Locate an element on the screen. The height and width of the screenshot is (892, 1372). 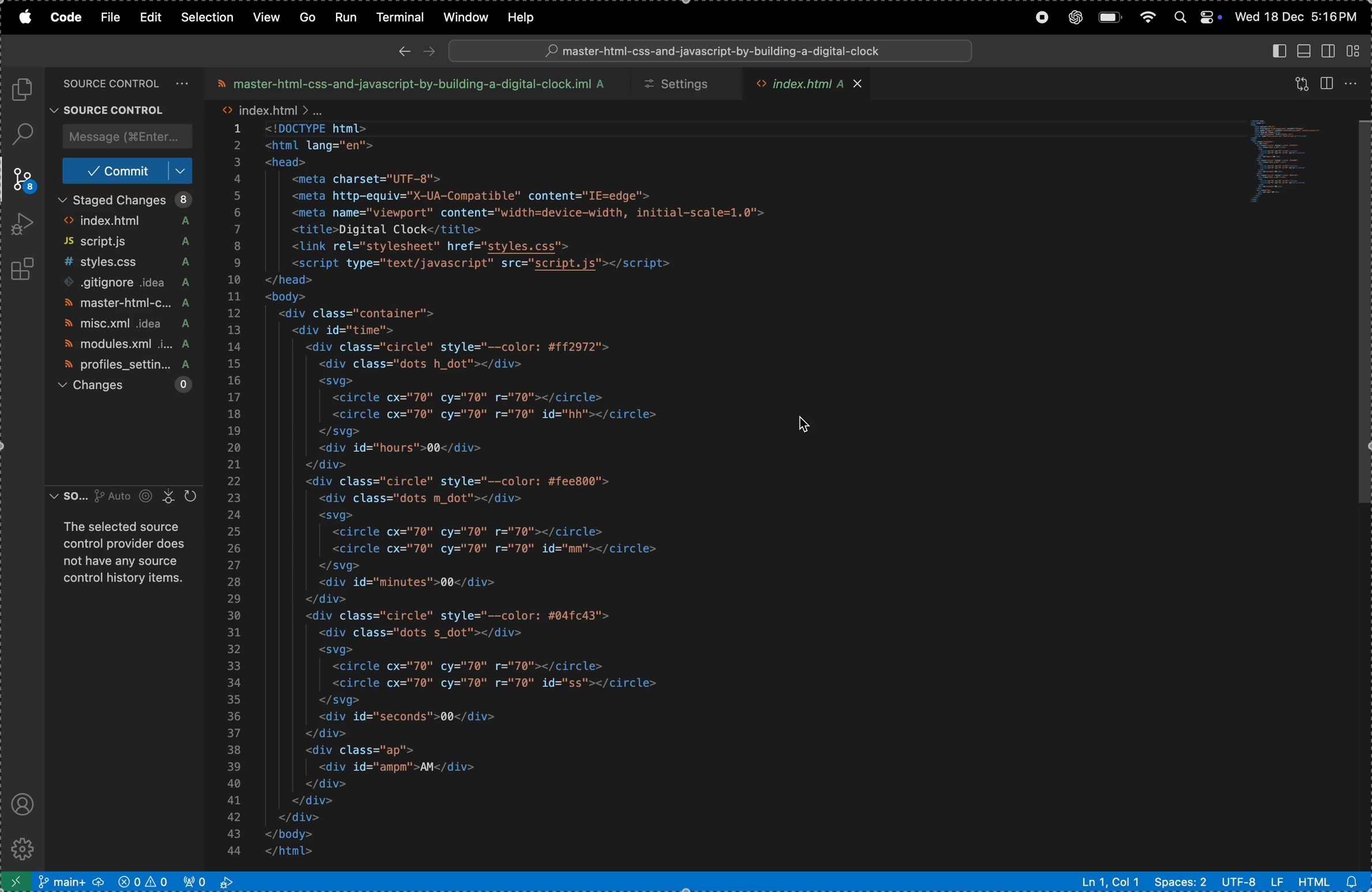
<div id="hours">00</div> is located at coordinates (409, 448).